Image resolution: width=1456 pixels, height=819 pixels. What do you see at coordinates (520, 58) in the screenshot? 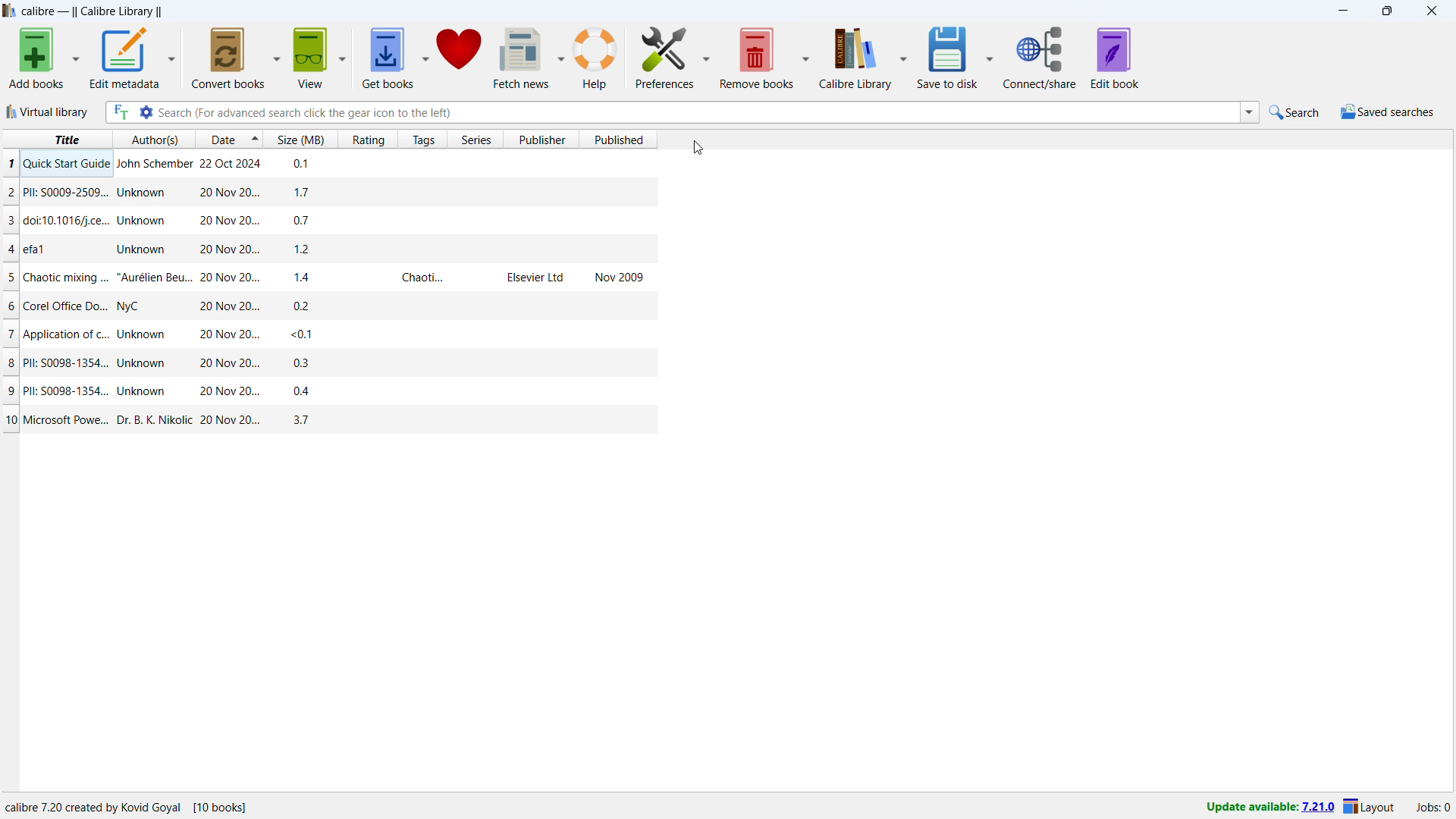
I see `fetch news` at bounding box center [520, 58].